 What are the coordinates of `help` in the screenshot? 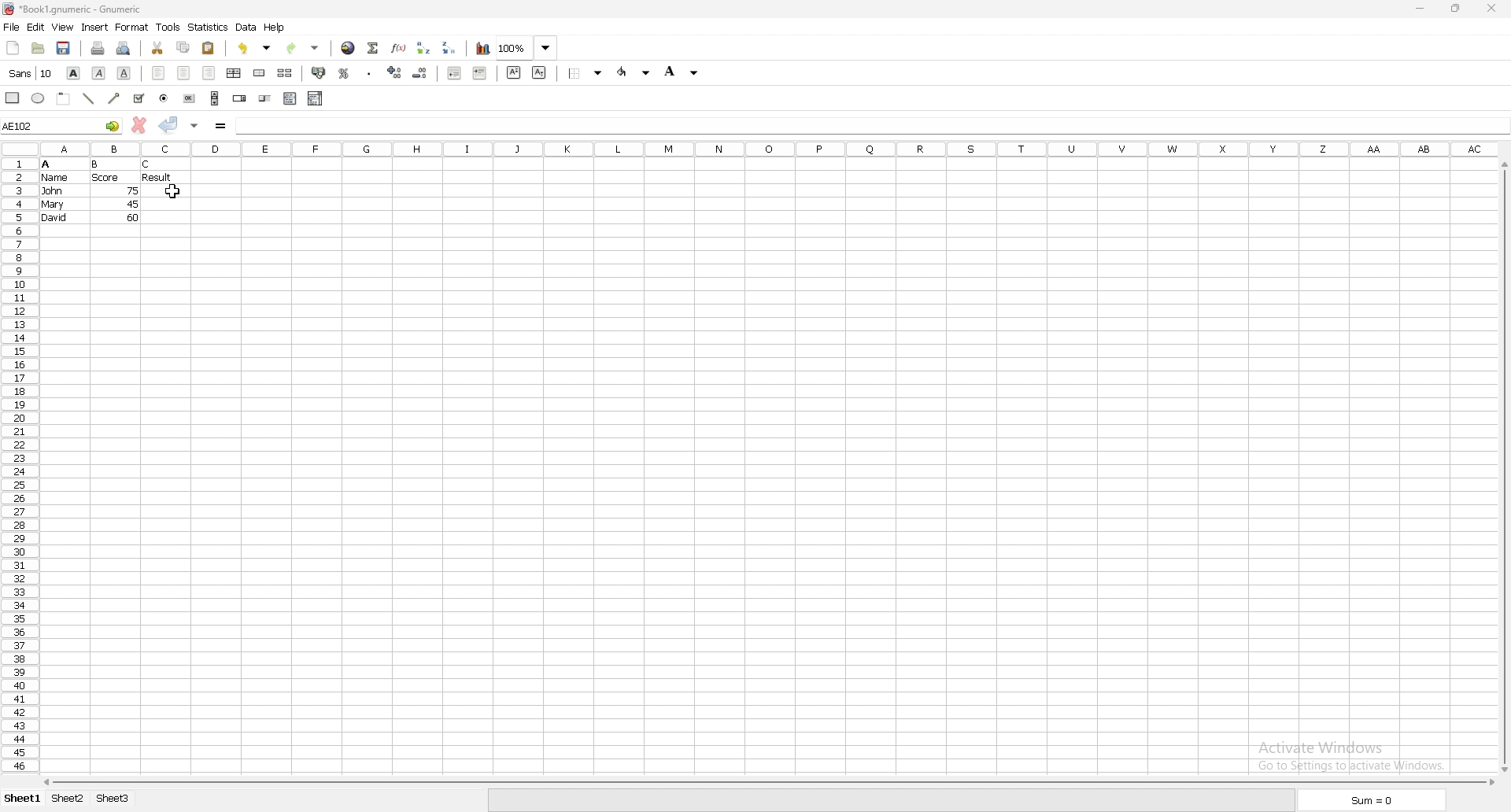 It's located at (275, 27).